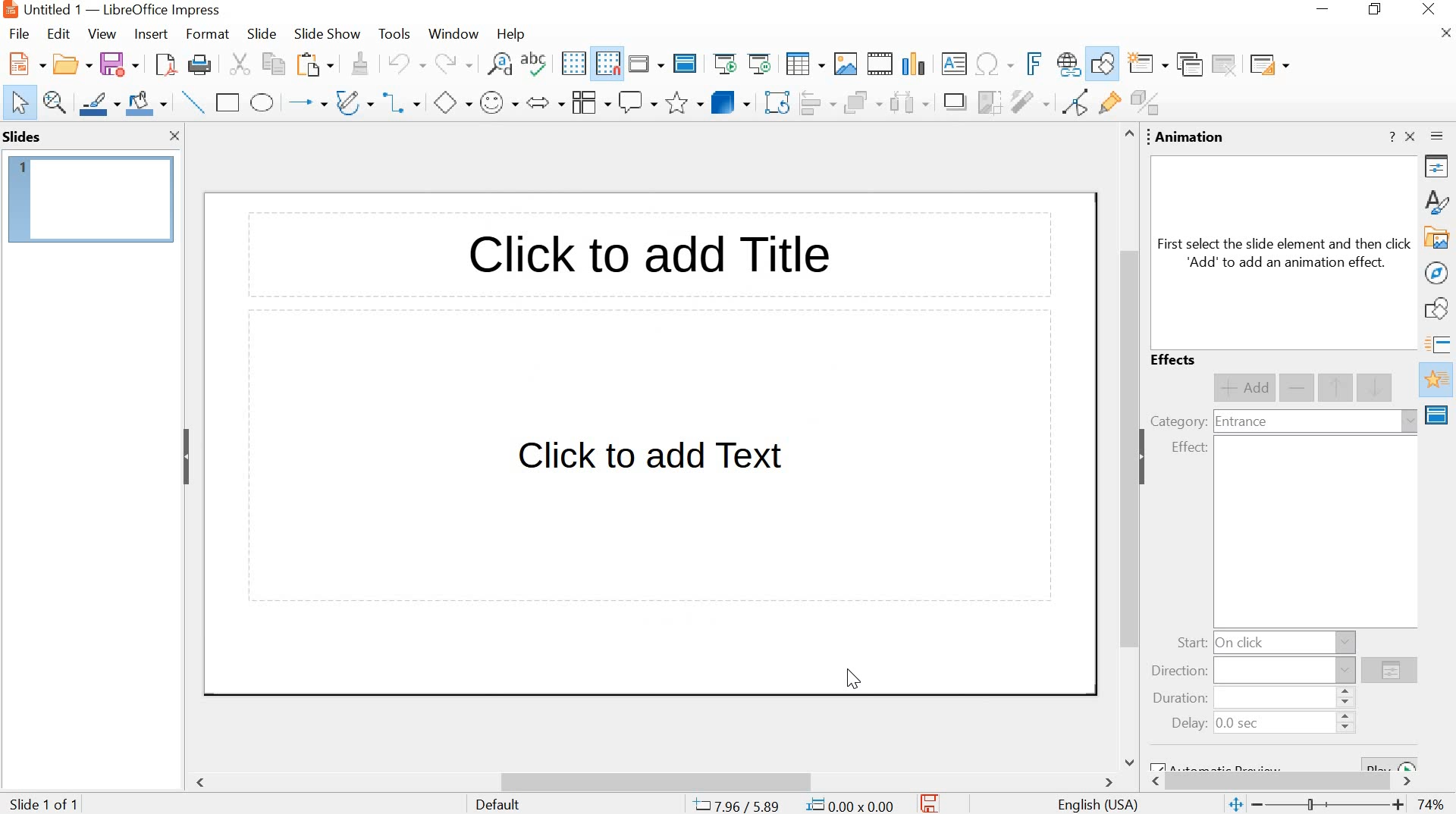 The height and width of the screenshot is (814, 1456). What do you see at coordinates (260, 34) in the screenshot?
I see `slide menu` at bounding box center [260, 34].